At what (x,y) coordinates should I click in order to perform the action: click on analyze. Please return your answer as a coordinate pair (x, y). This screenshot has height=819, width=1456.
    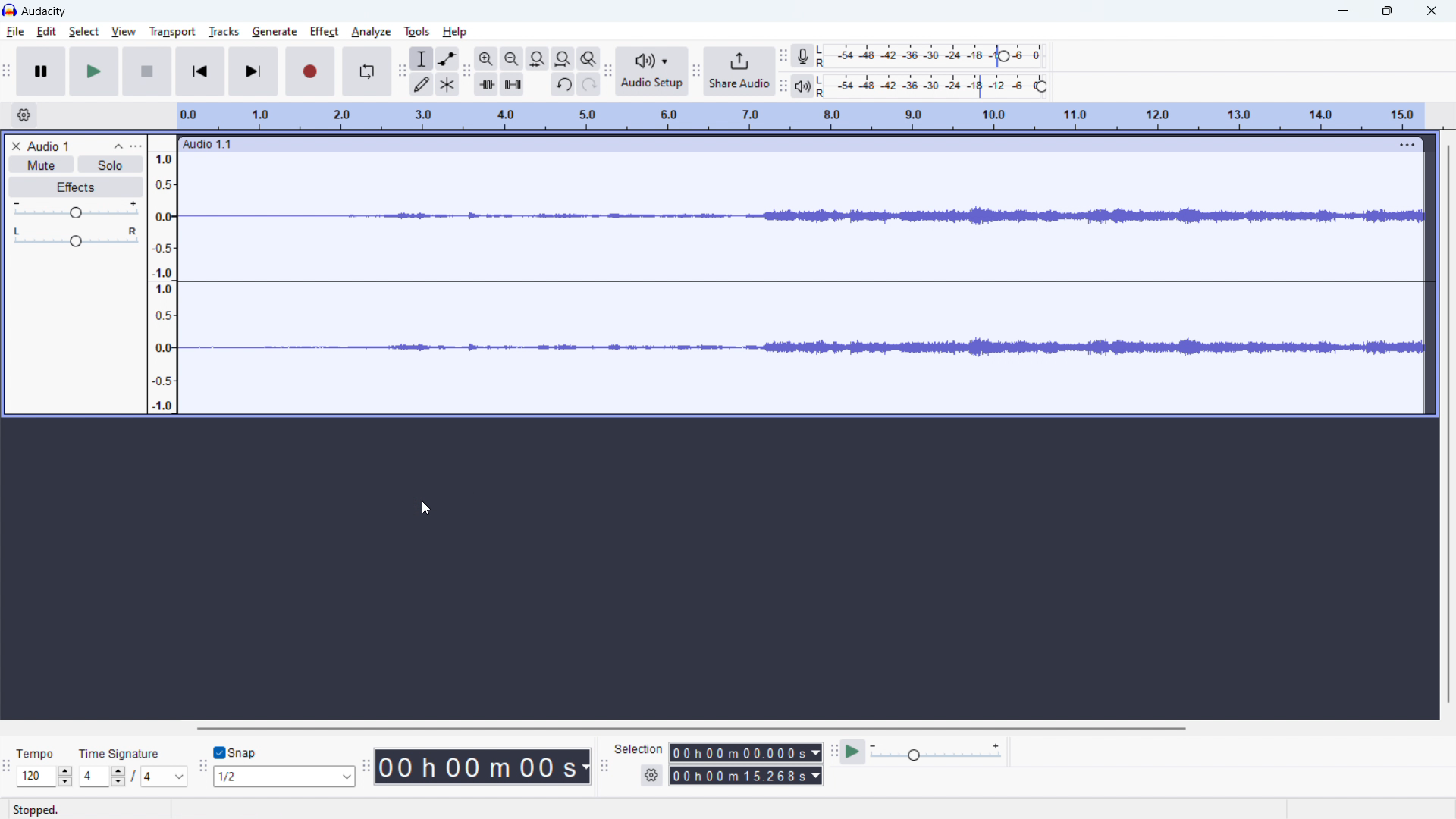
    Looking at the image, I should click on (371, 33).